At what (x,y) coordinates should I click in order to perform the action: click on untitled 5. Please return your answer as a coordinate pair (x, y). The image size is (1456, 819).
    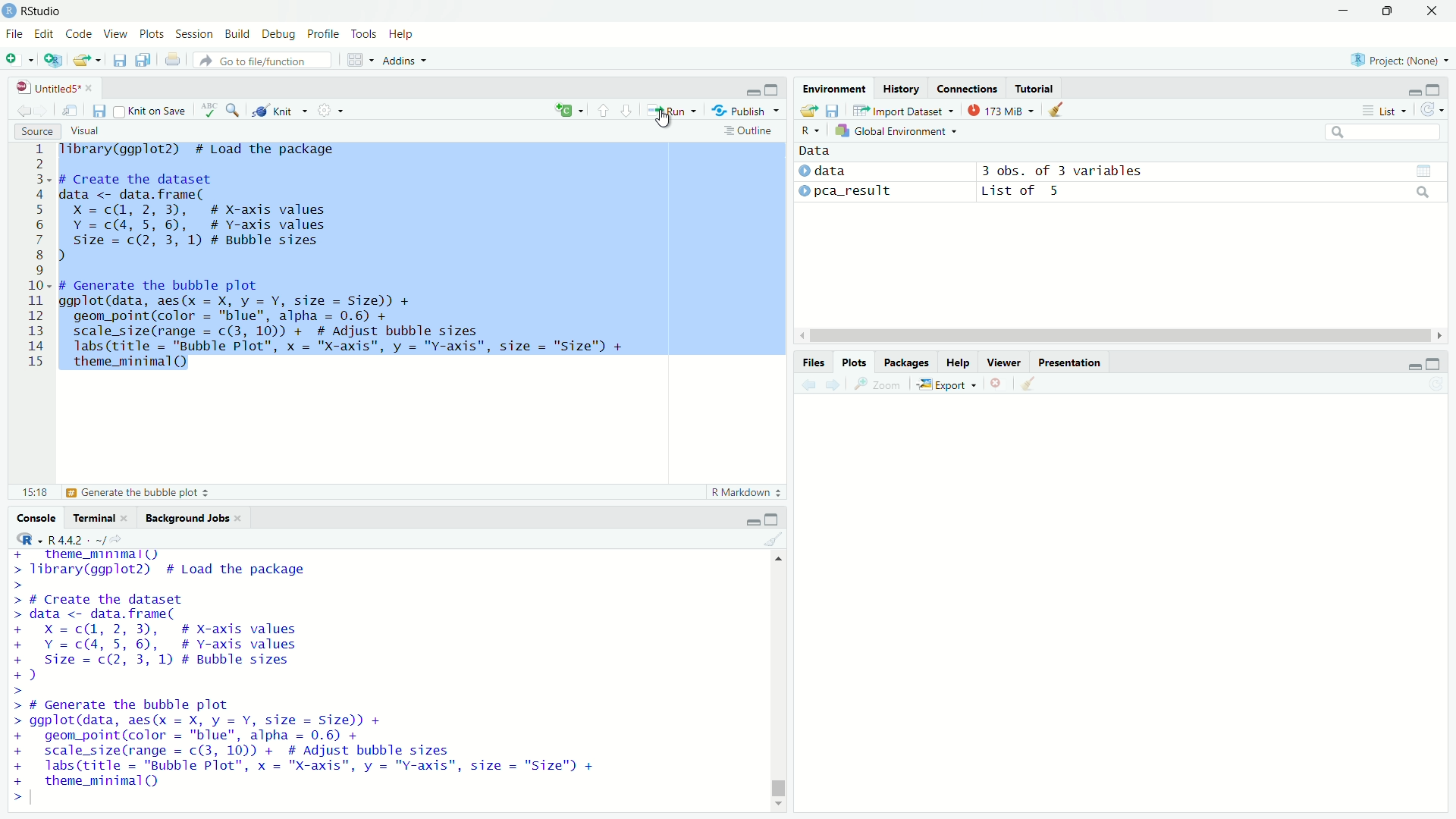
    Looking at the image, I should click on (51, 88).